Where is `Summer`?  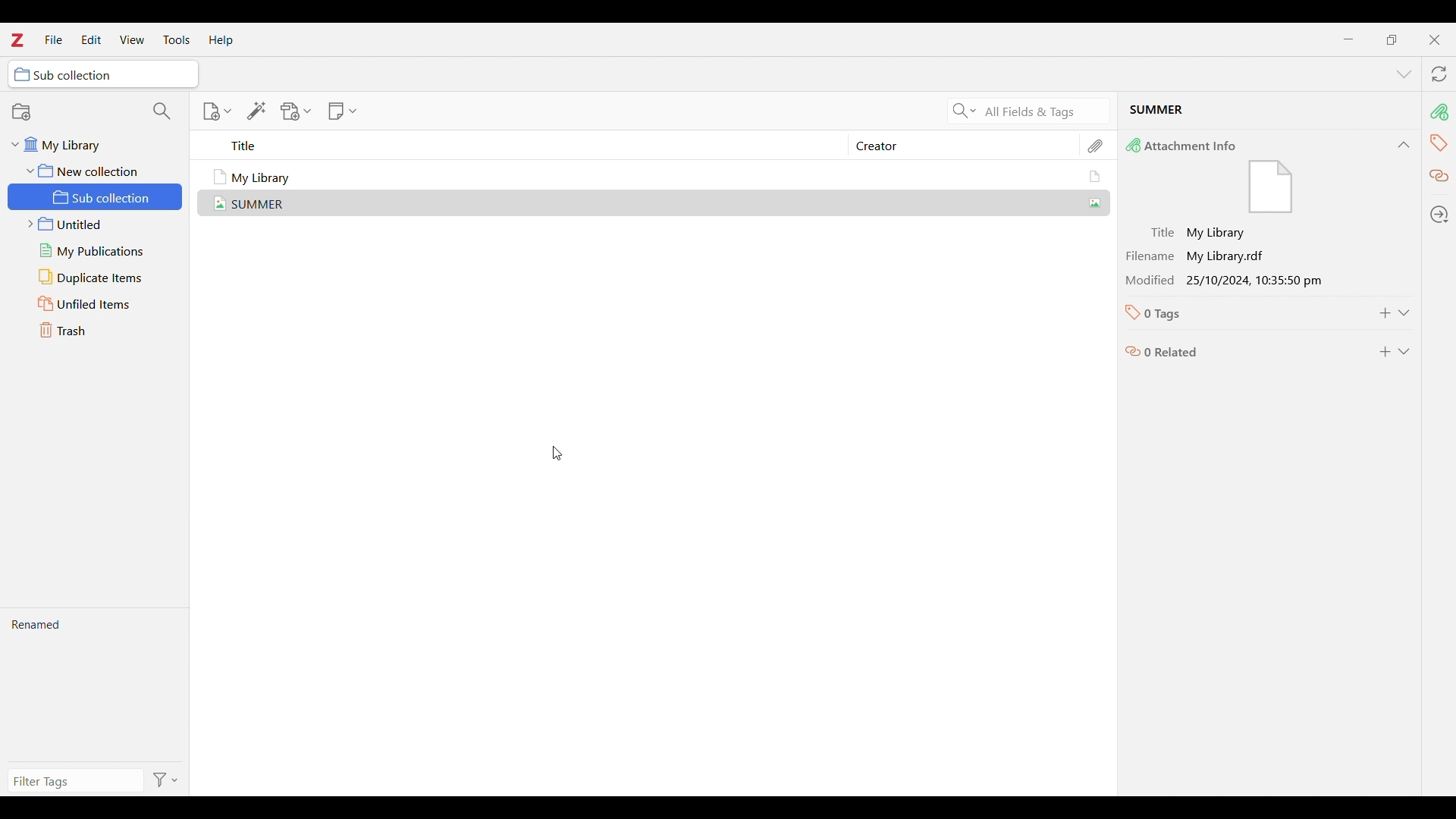
Summer is located at coordinates (660, 202).